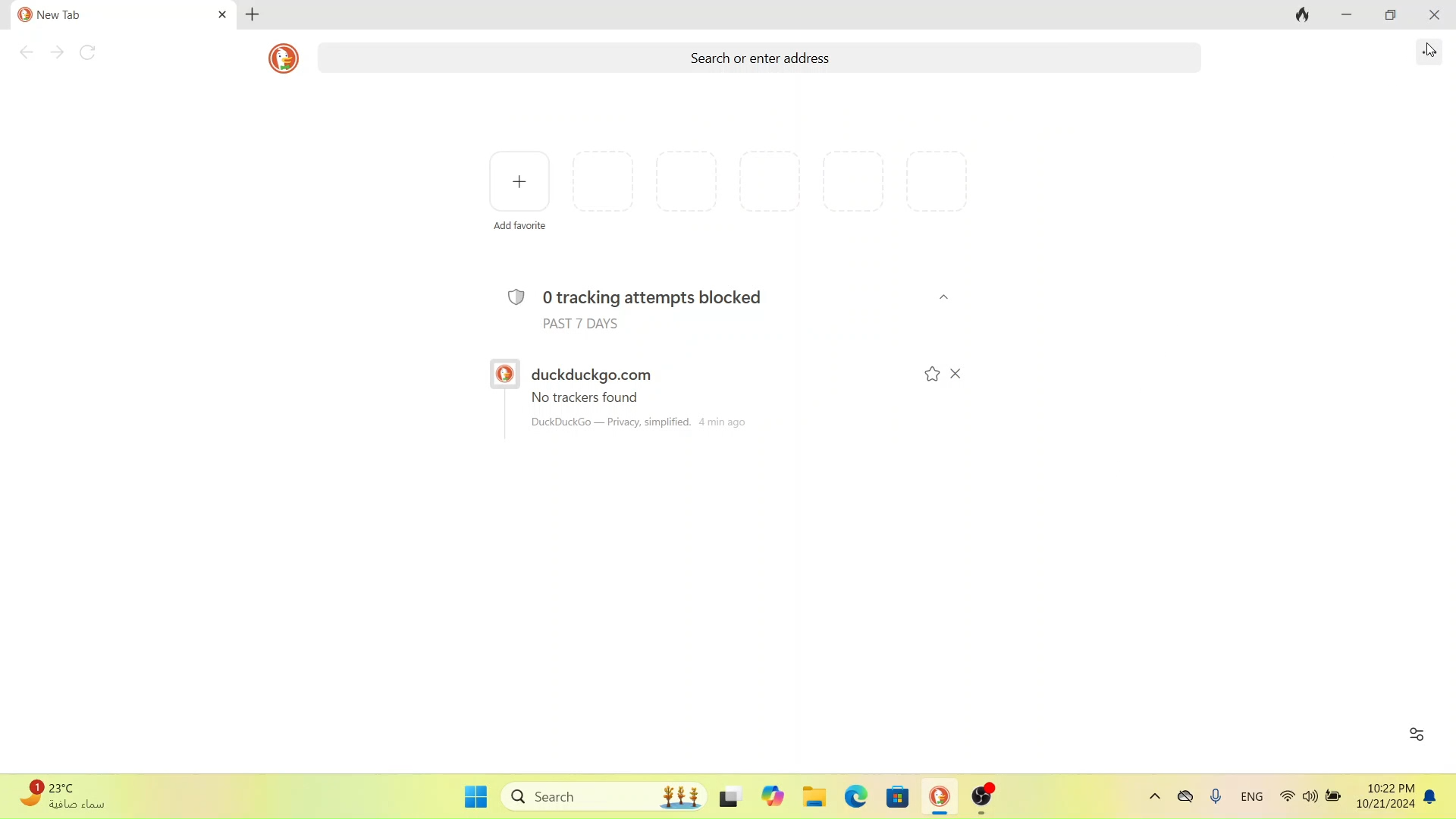 The height and width of the screenshot is (819, 1456). Describe the element at coordinates (1186, 799) in the screenshot. I see `onedrive` at that location.